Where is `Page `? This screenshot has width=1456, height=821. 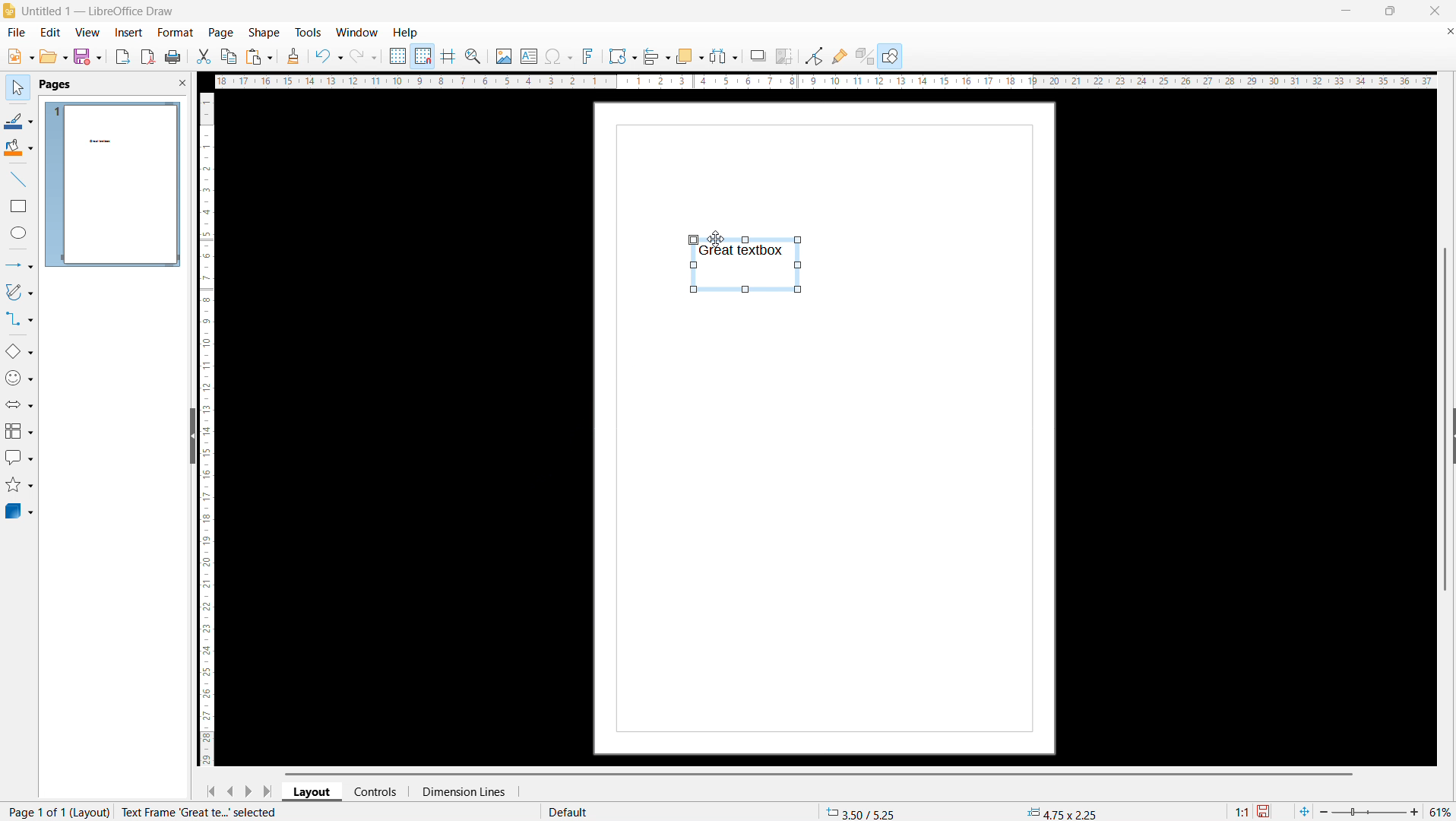 Page  is located at coordinates (831, 532).